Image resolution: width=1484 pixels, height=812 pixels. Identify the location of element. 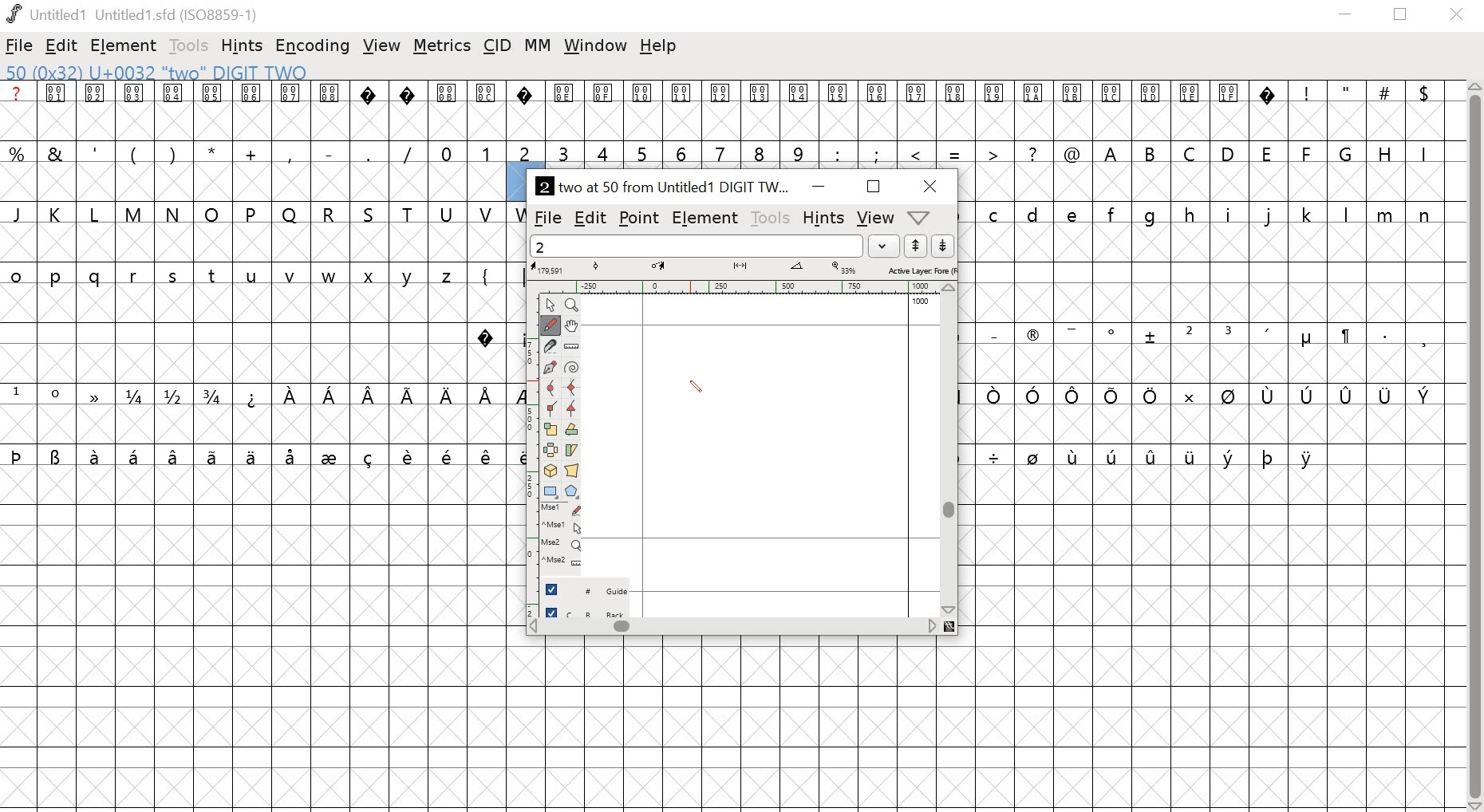
(708, 218).